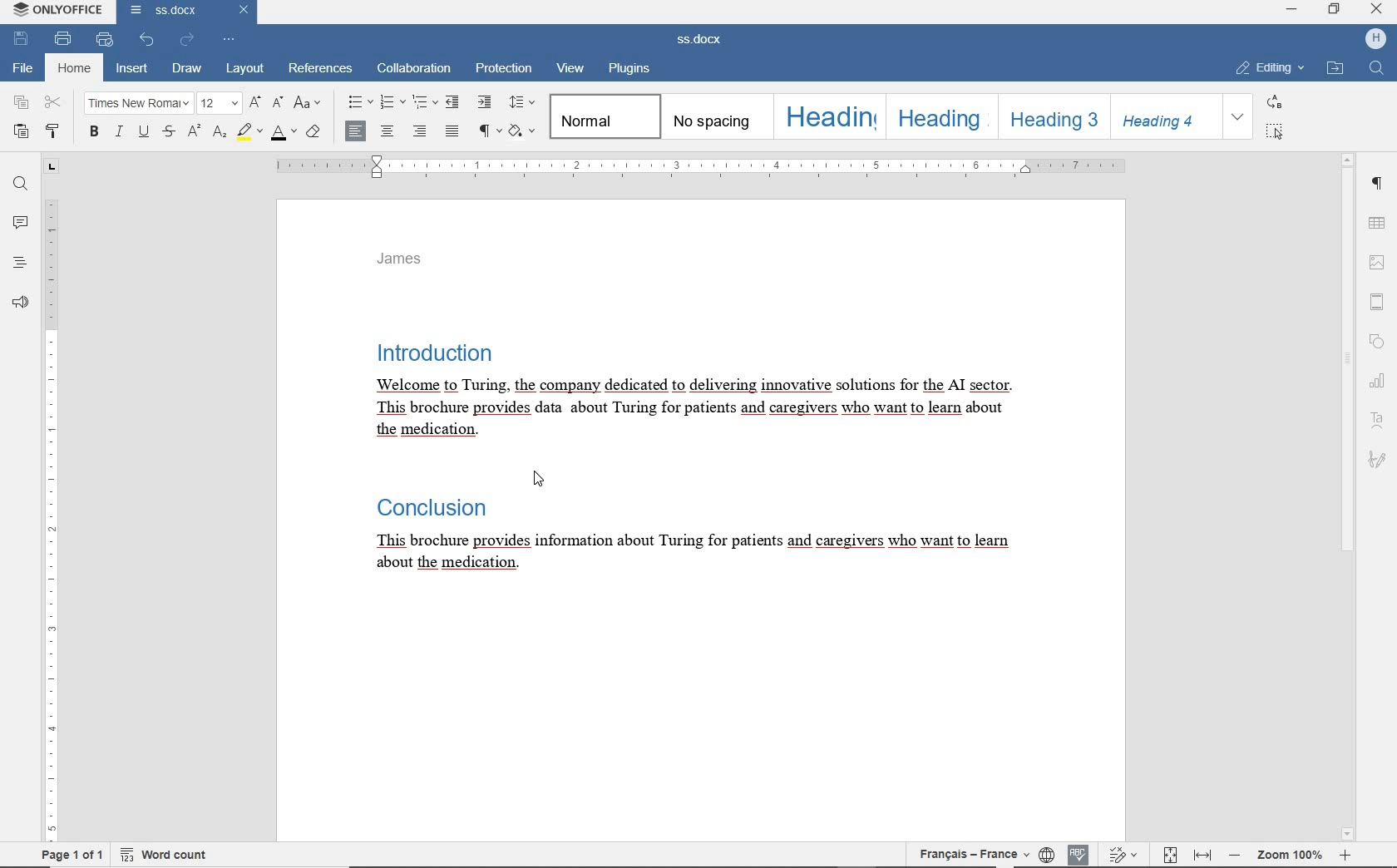 This screenshot has height=868, width=1397. What do you see at coordinates (277, 104) in the screenshot?
I see `DECREMENT FONT SIZE` at bounding box center [277, 104].